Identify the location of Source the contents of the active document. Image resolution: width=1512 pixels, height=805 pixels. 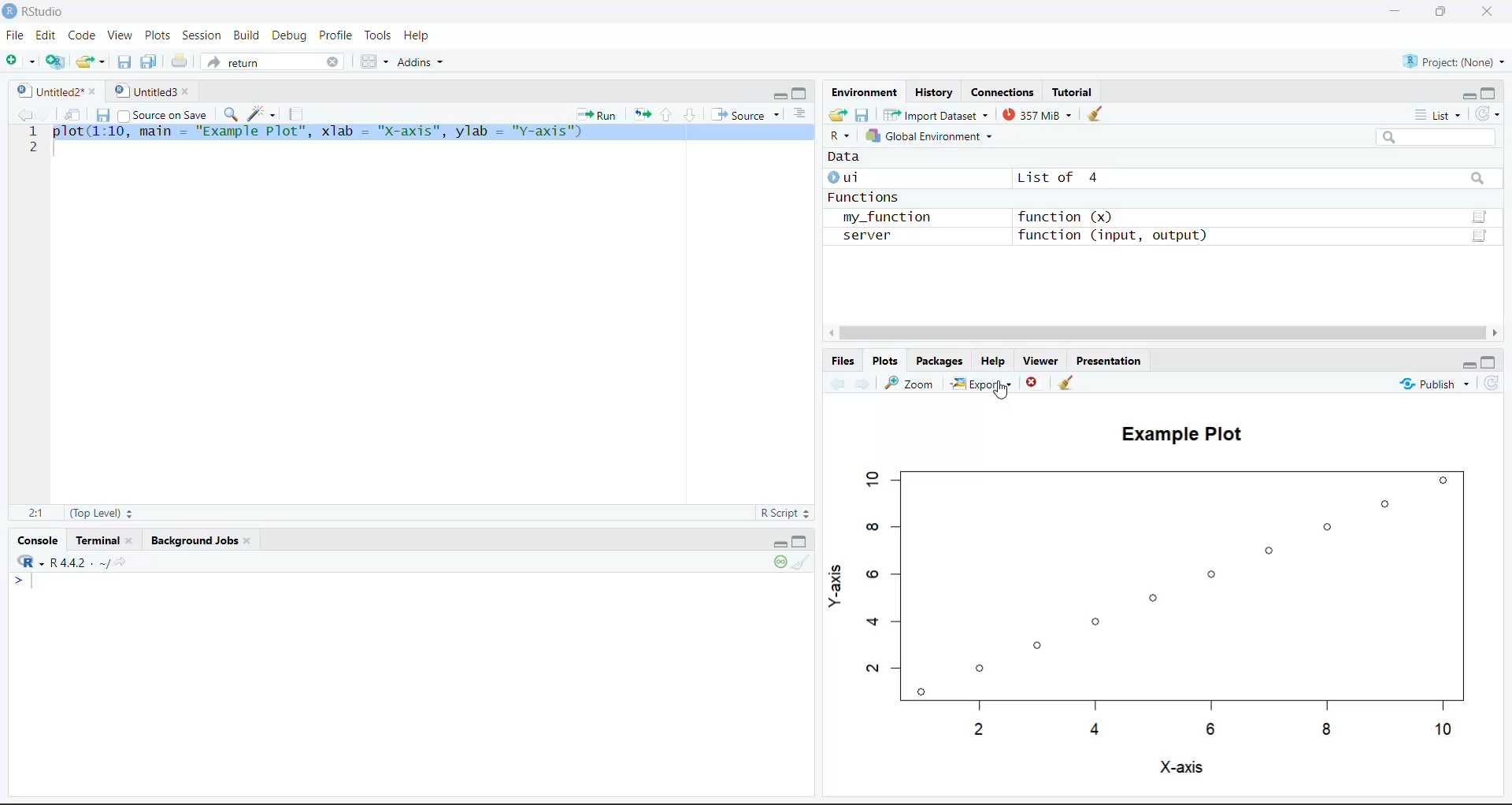
(742, 112).